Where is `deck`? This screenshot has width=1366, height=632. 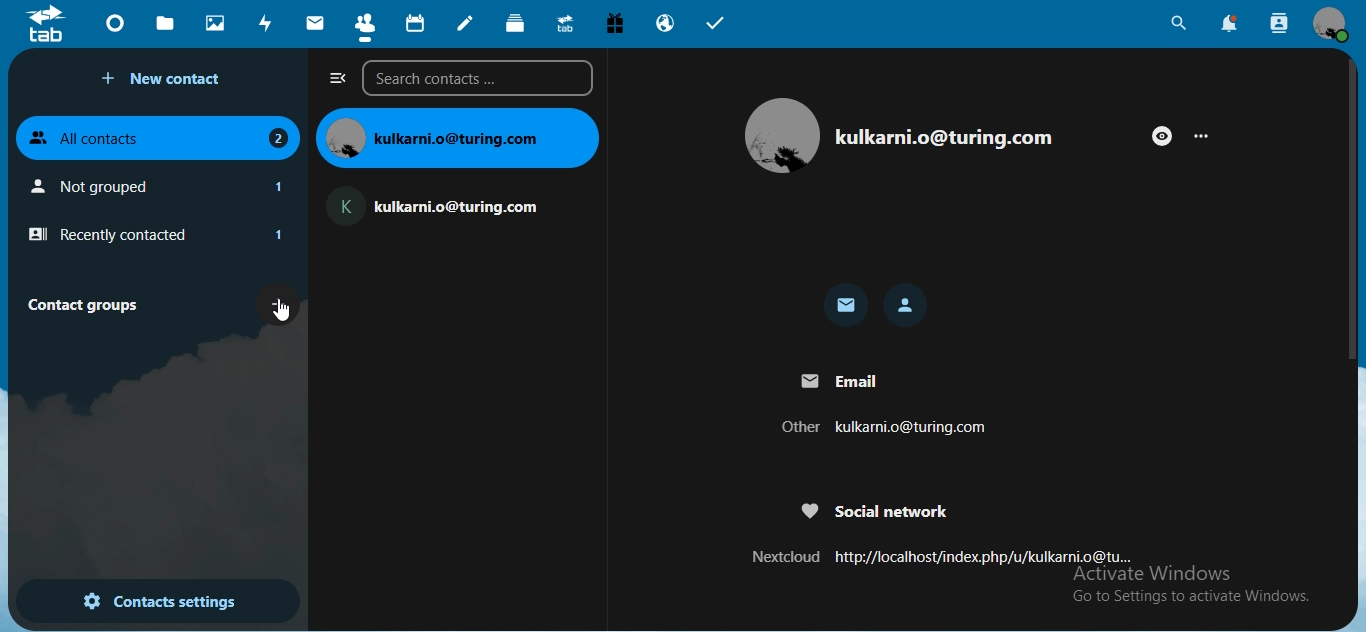 deck is located at coordinates (517, 23).